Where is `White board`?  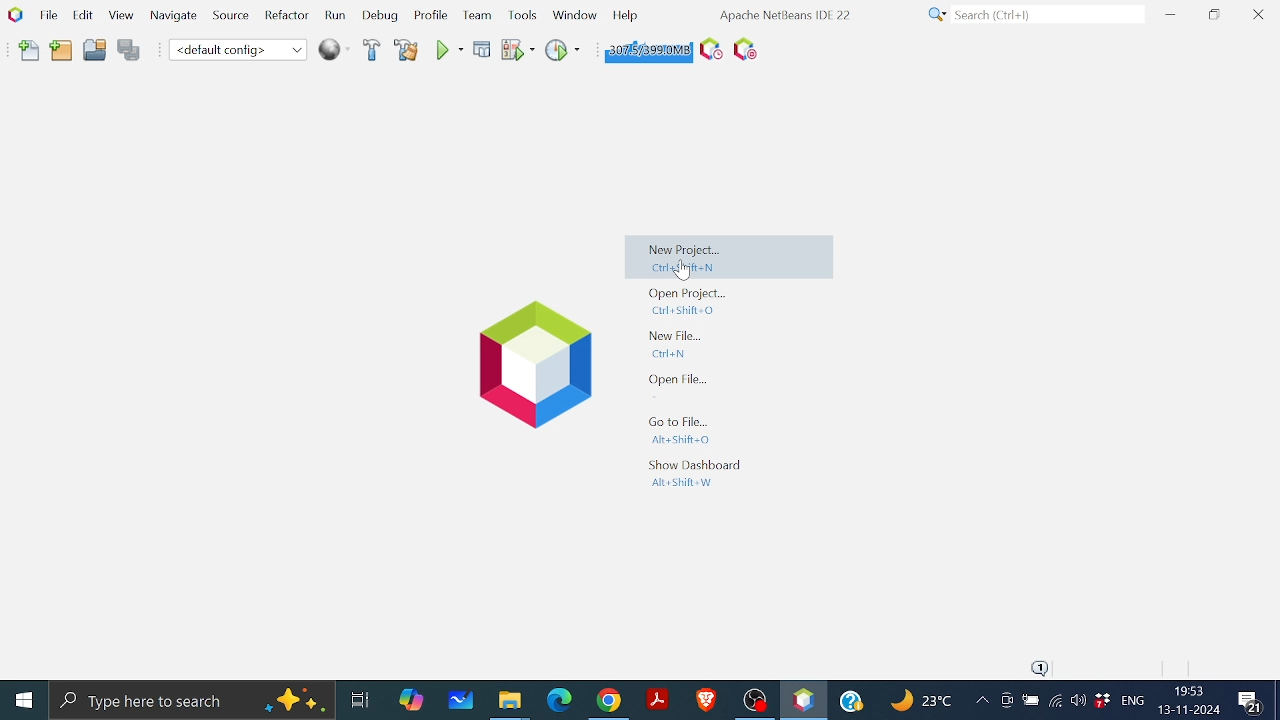
White board is located at coordinates (463, 699).